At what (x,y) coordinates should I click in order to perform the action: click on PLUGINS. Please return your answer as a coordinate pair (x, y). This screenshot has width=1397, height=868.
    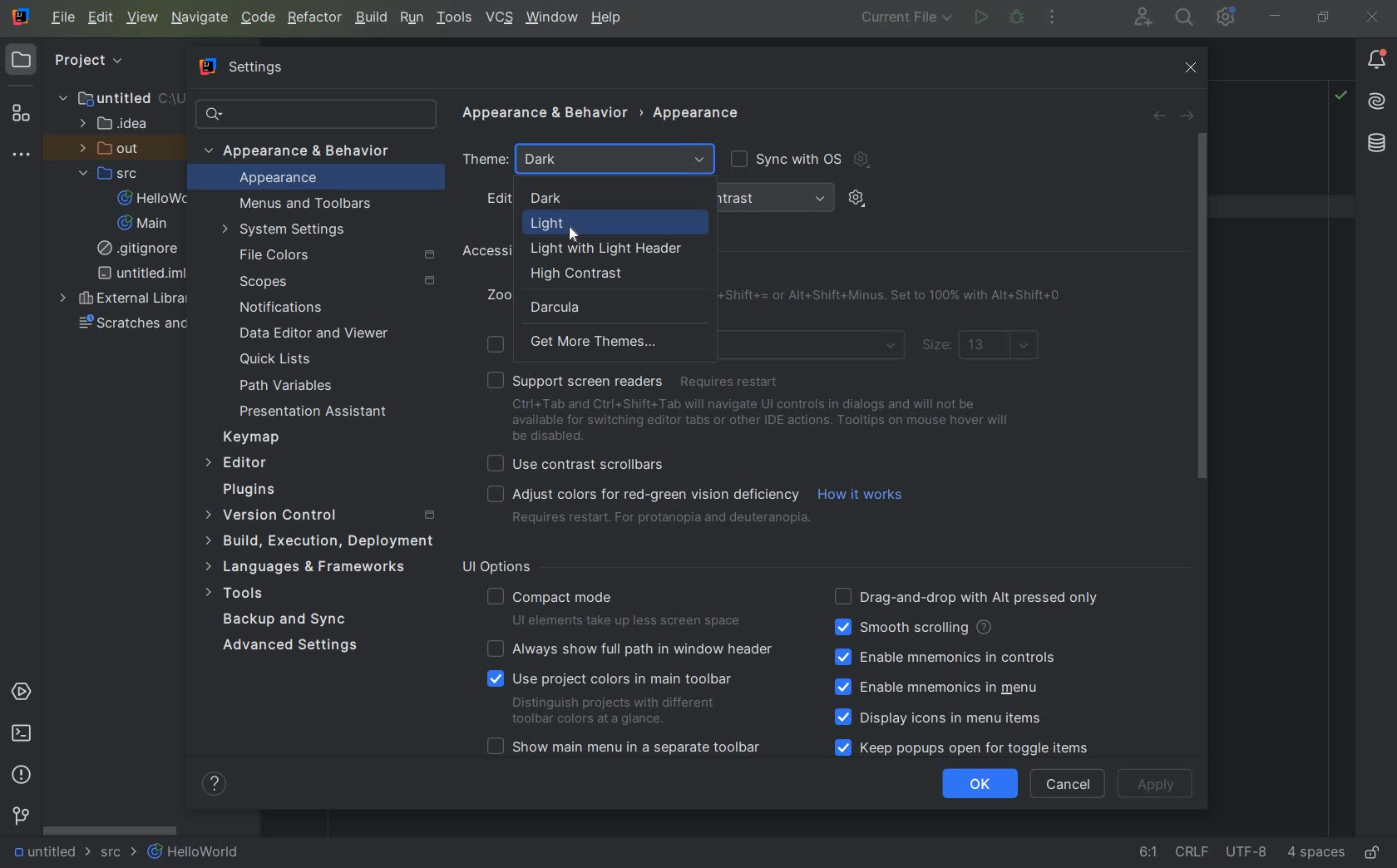
    Looking at the image, I should click on (262, 491).